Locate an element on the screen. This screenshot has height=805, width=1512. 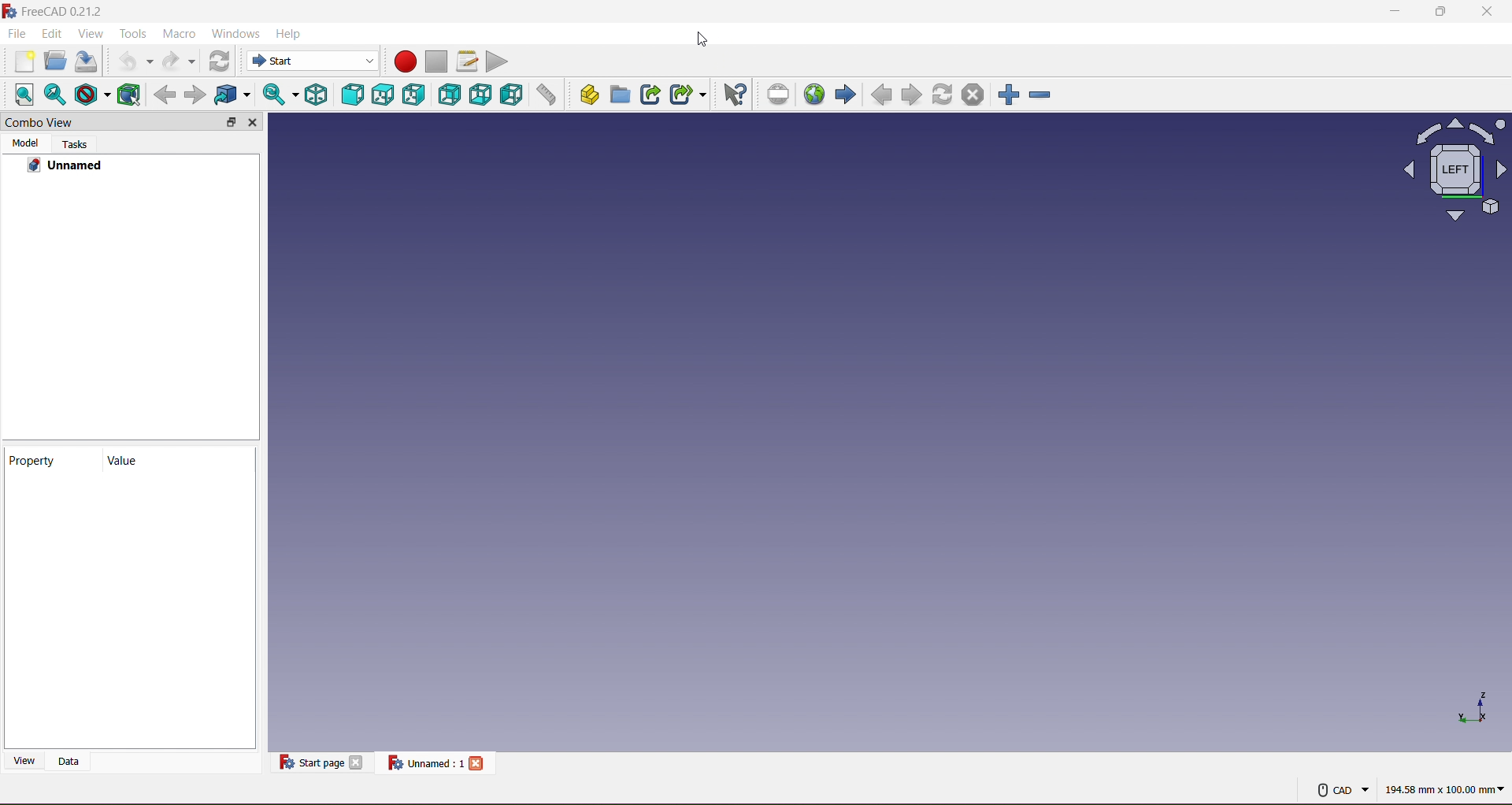
Edit is located at coordinates (51, 33).